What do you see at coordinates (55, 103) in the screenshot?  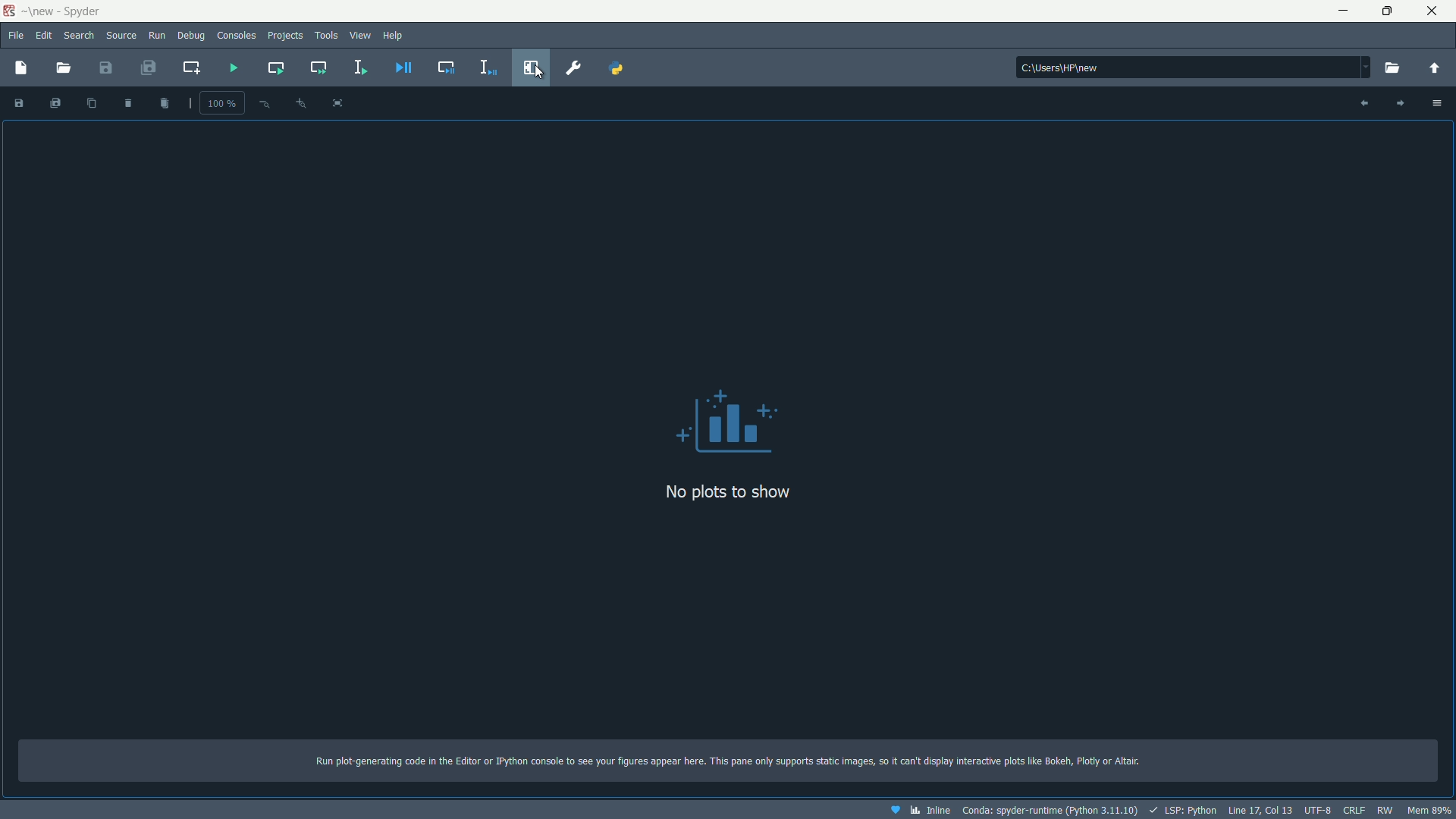 I see `save all plots` at bounding box center [55, 103].